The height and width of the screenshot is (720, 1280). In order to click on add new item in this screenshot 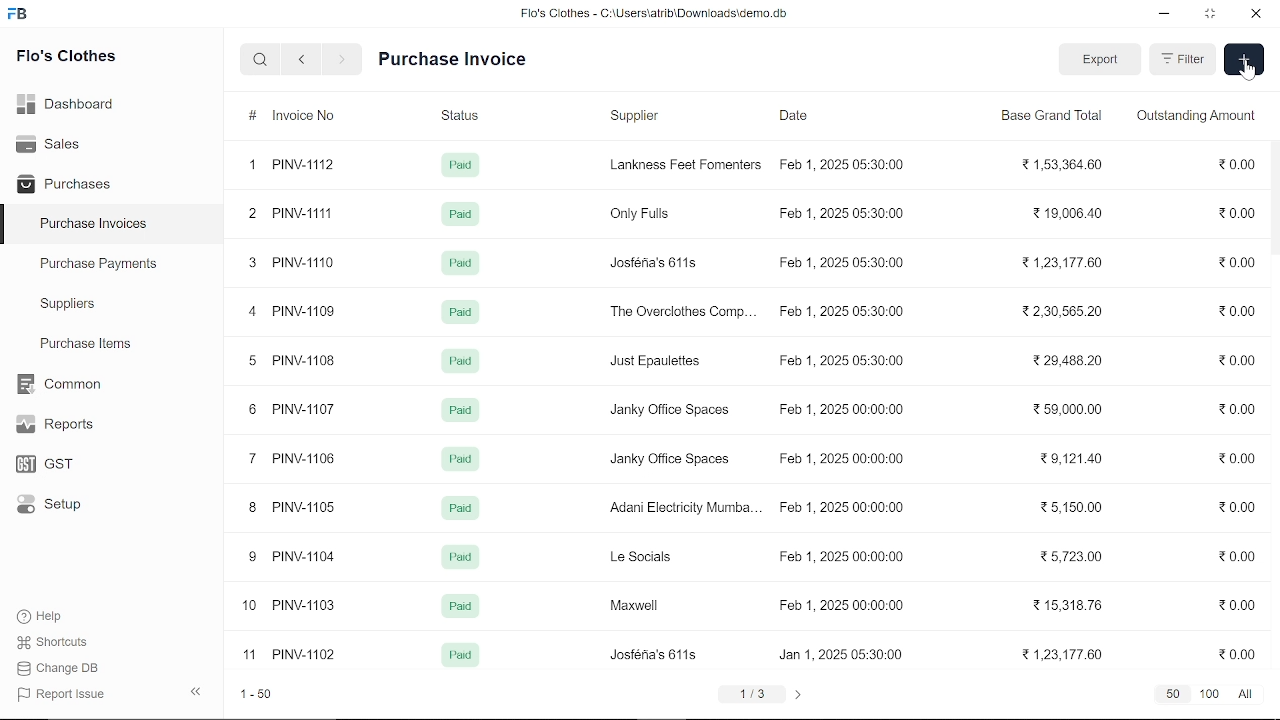, I will do `click(1244, 59)`.